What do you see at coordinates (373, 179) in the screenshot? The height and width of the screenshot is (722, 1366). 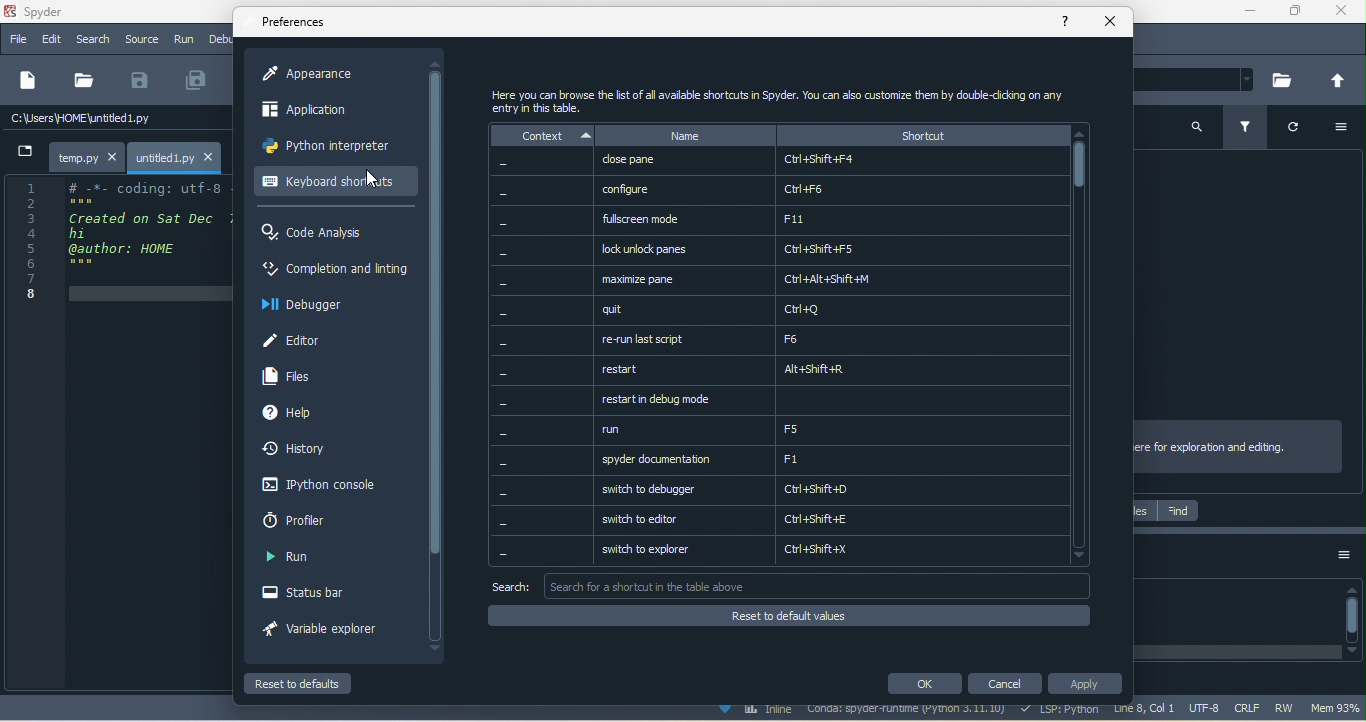 I see `cursor movement` at bounding box center [373, 179].